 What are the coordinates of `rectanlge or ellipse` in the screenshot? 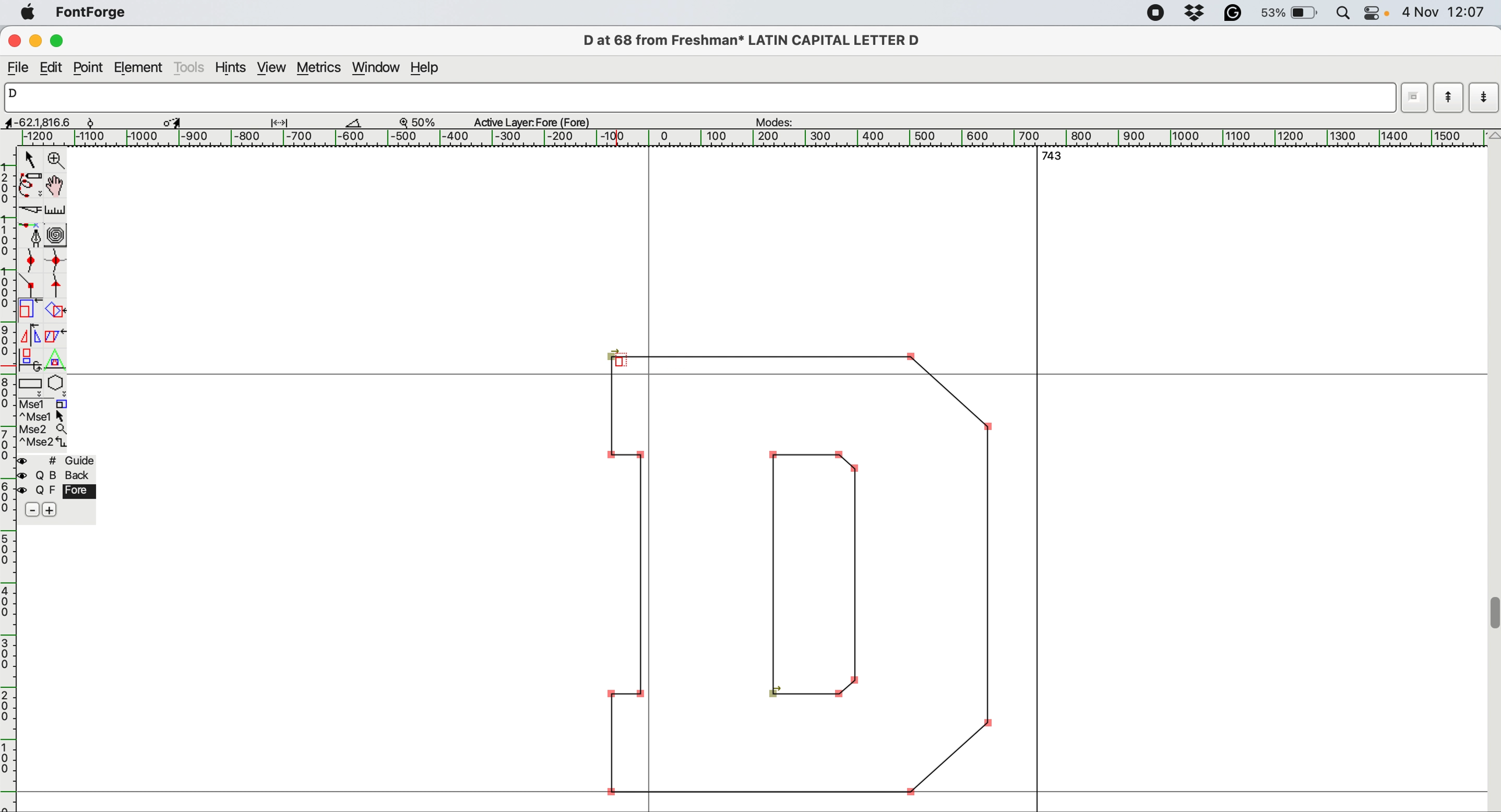 It's located at (31, 385).